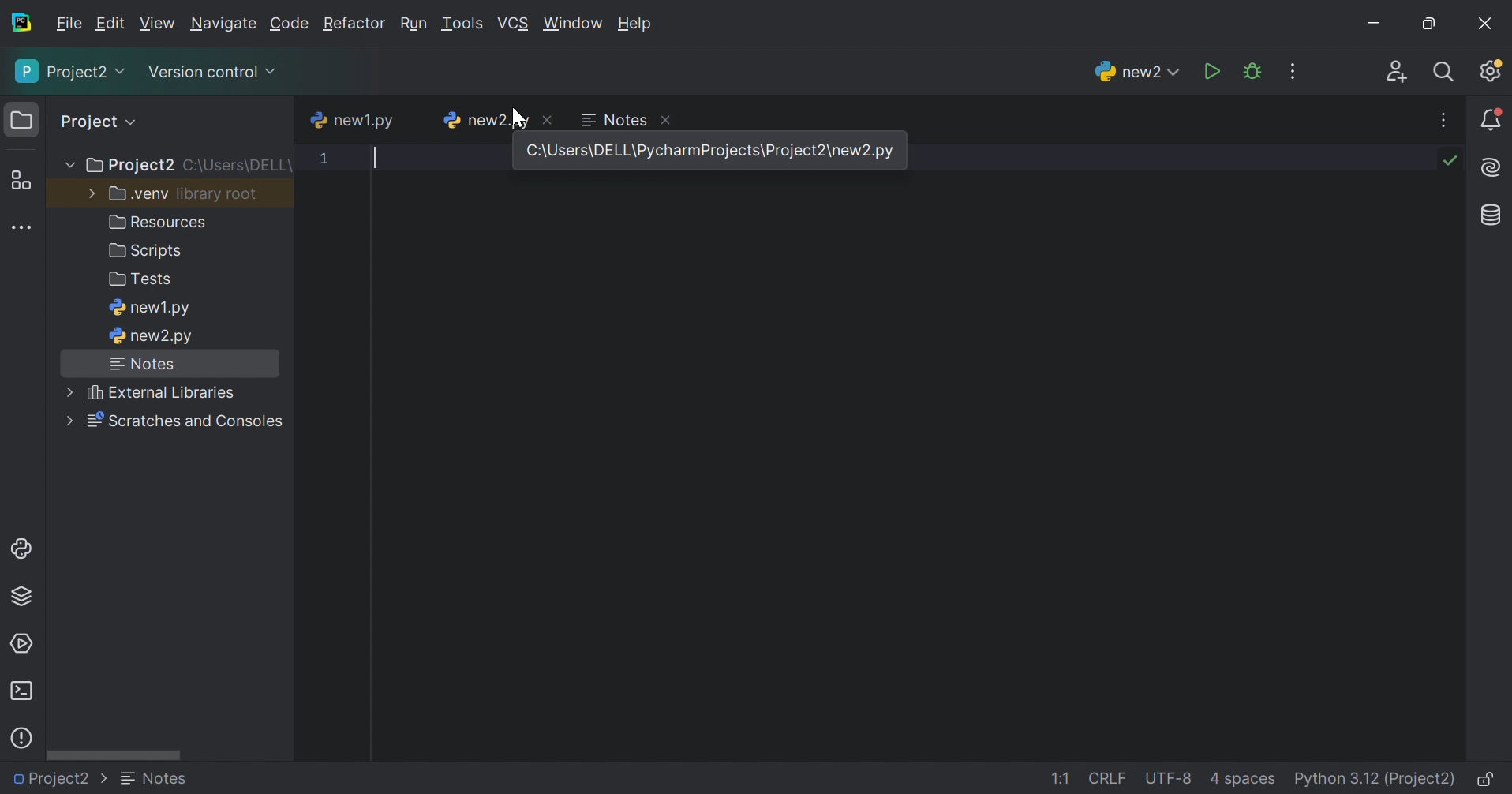 The image size is (1512, 794). I want to click on Database, so click(1488, 215).